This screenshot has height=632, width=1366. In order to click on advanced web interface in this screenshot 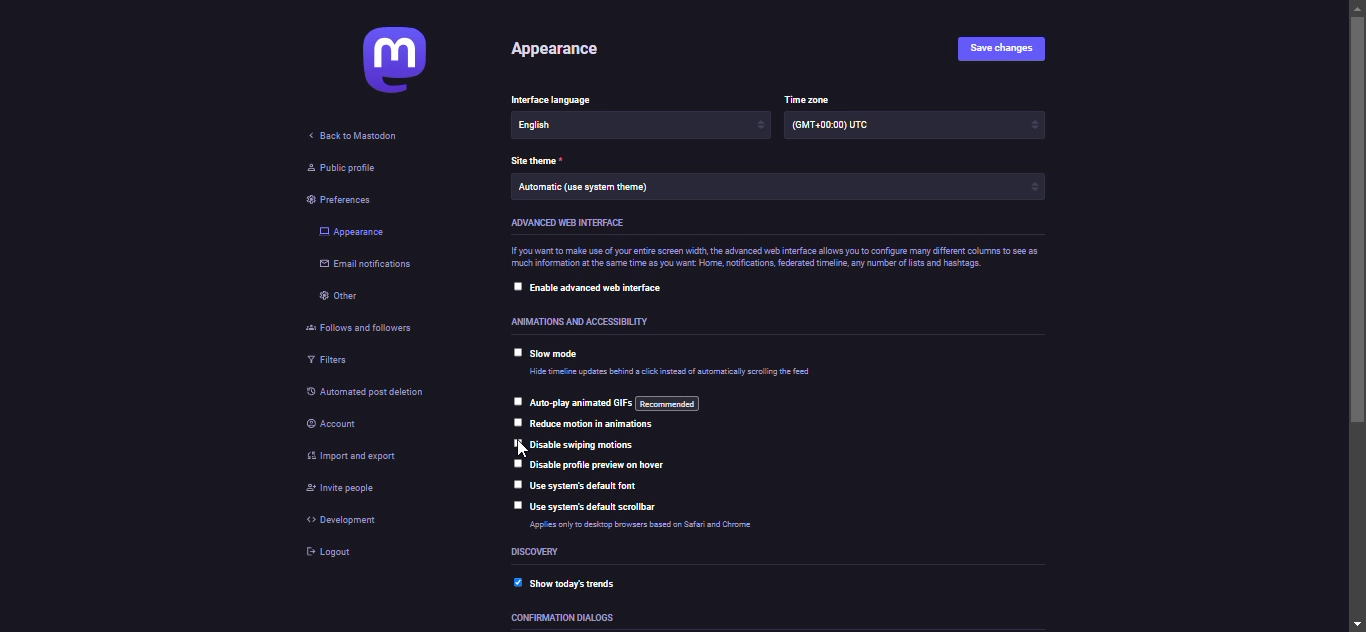, I will do `click(570, 224)`.